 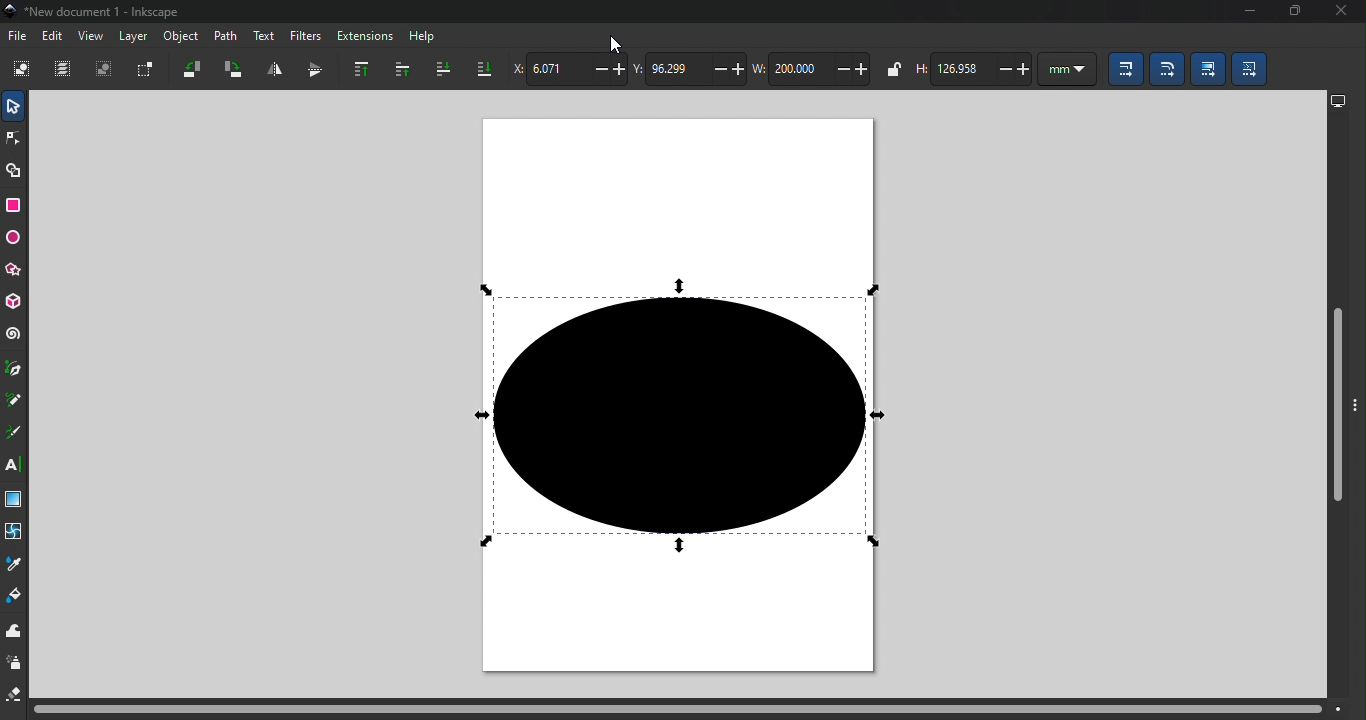 What do you see at coordinates (225, 37) in the screenshot?
I see `Path` at bounding box center [225, 37].